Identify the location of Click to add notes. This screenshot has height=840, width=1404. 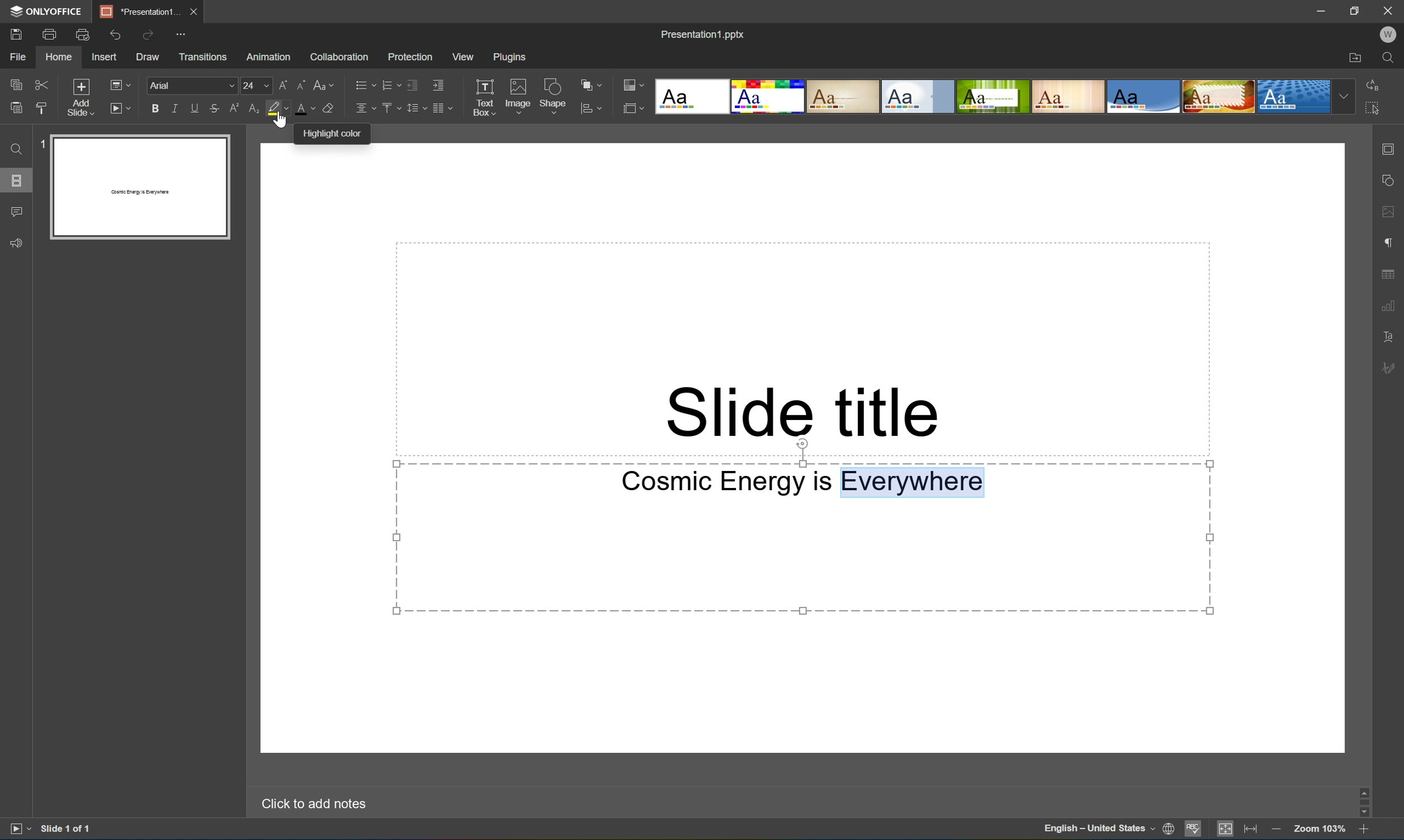
(314, 806).